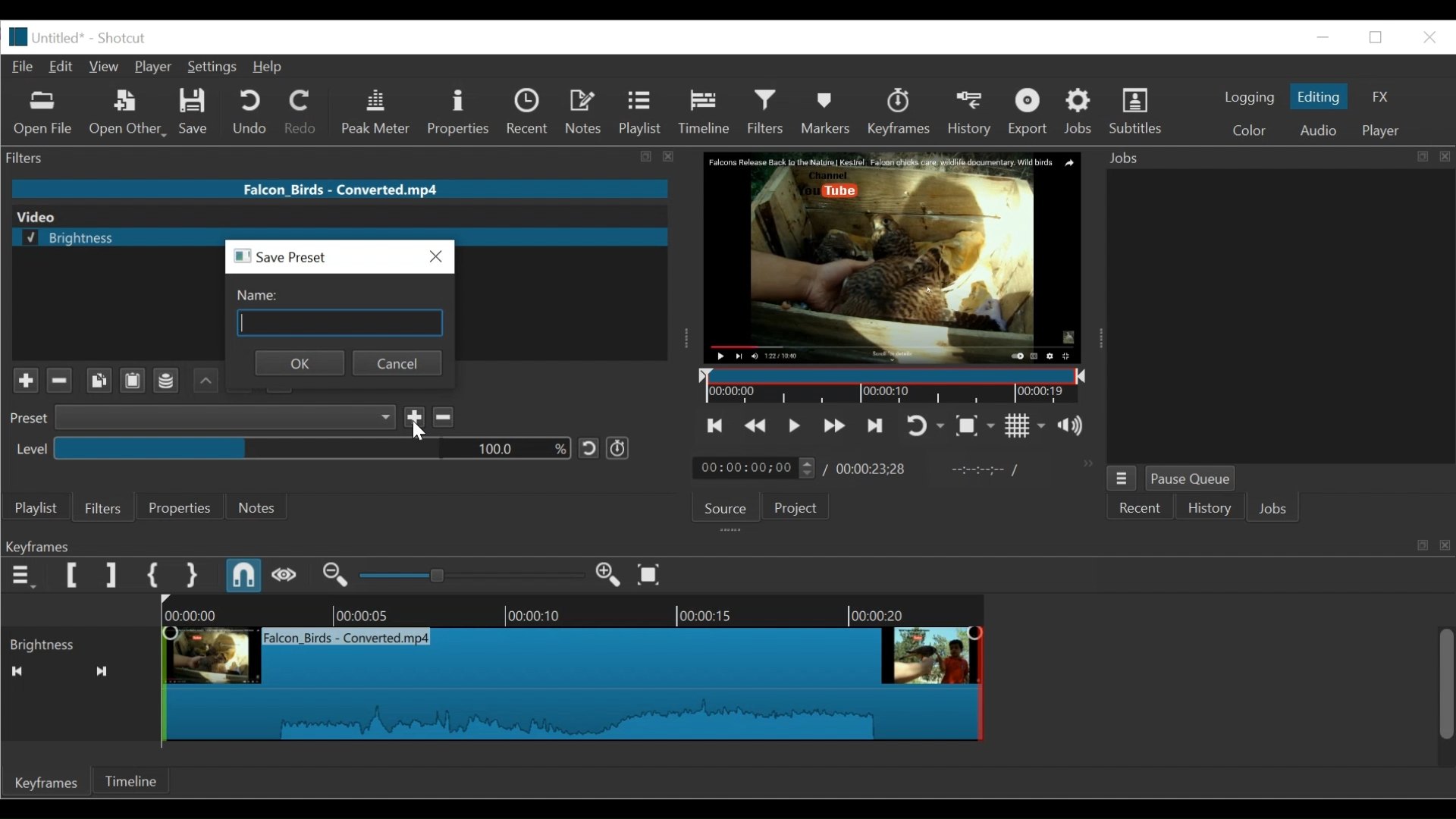  Describe the element at coordinates (585, 111) in the screenshot. I see `Notes` at that location.